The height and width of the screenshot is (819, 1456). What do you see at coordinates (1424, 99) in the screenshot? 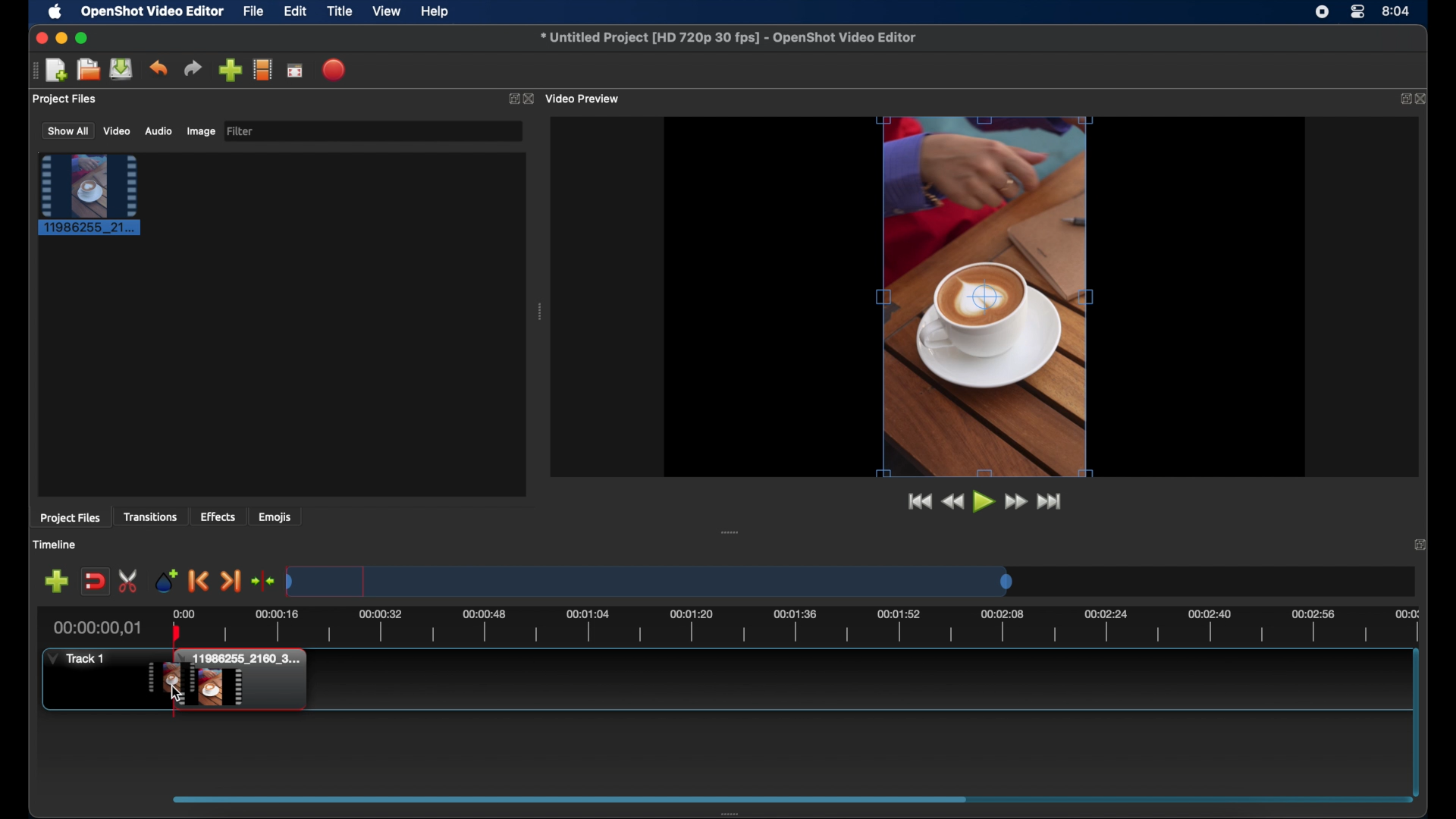
I see `close` at bounding box center [1424, 99].